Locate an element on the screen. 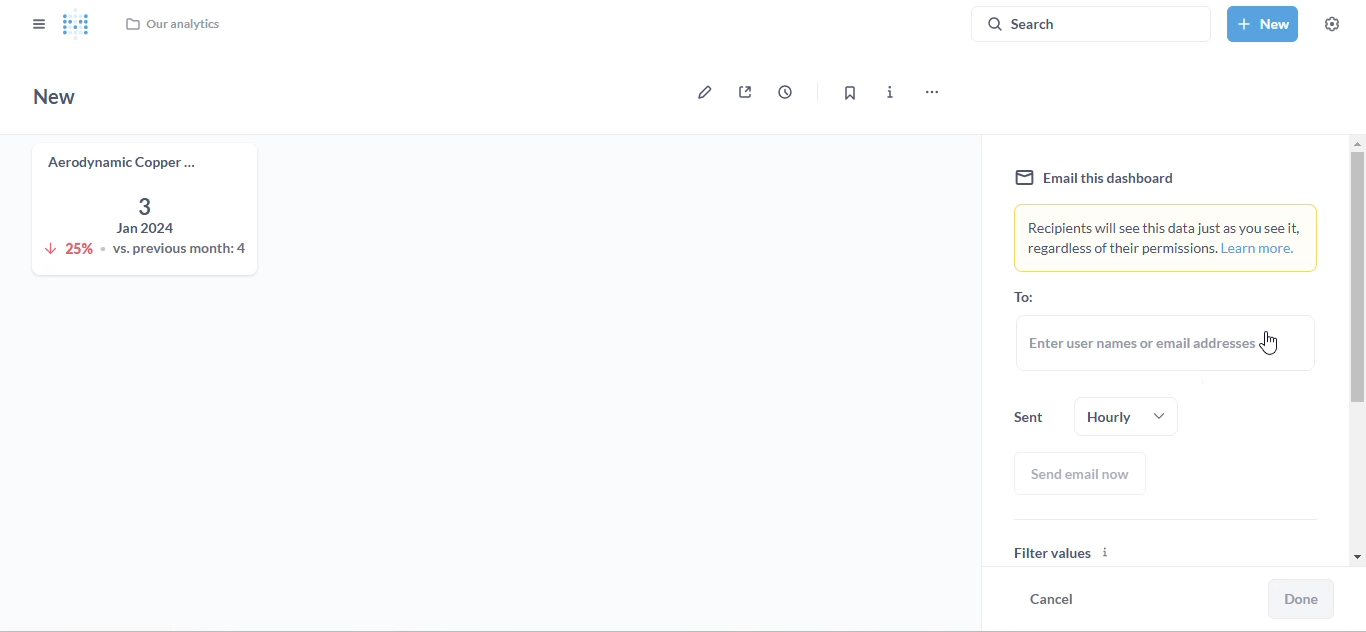 The width and height of the screenshot is (1366, 632). bookmark is located at coordinates (849, 93).